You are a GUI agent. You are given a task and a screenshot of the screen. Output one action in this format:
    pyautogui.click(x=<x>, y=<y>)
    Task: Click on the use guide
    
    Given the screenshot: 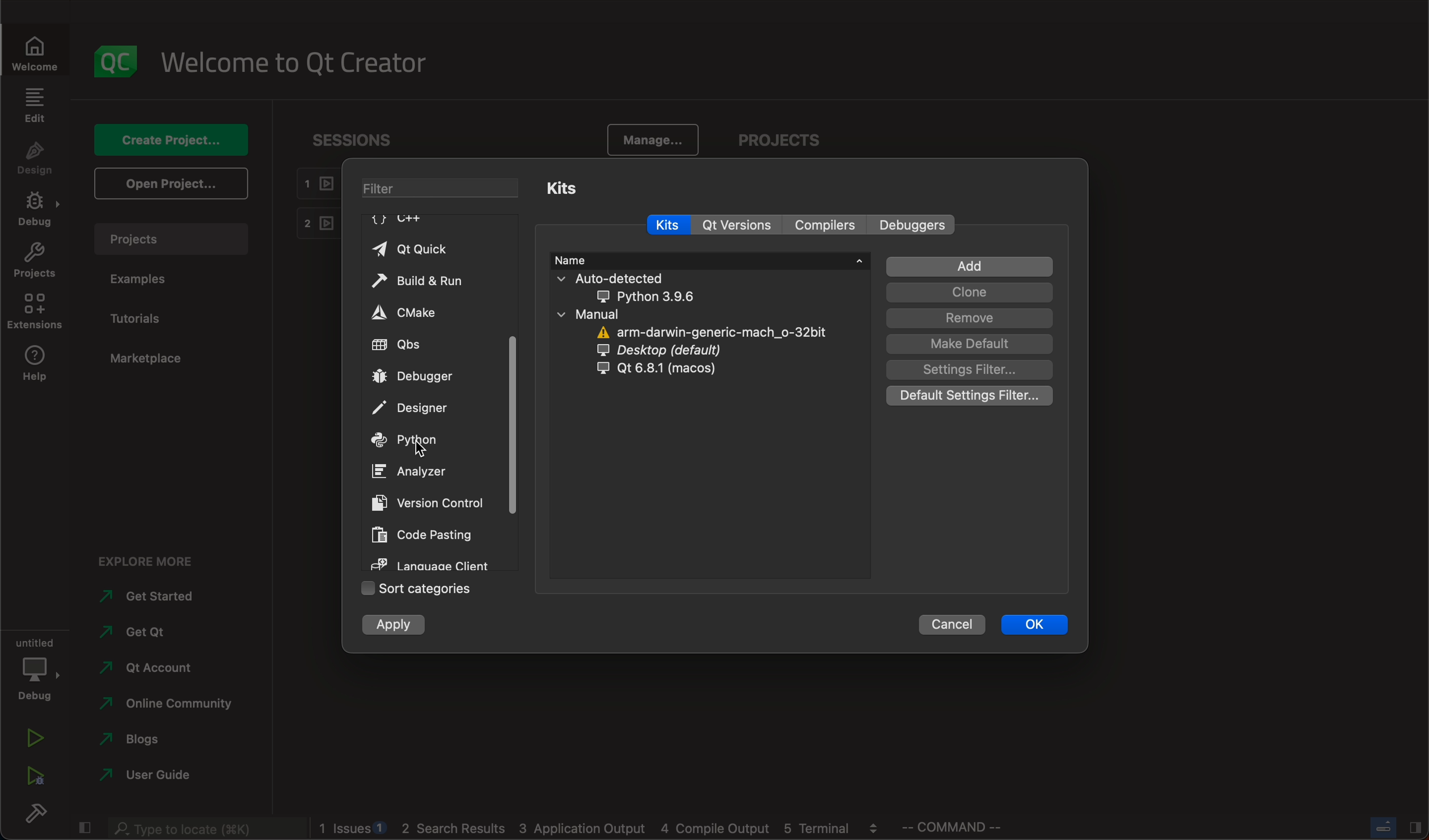 What is the action you would take?
    pyautogui.click(x=148, y=776)
    